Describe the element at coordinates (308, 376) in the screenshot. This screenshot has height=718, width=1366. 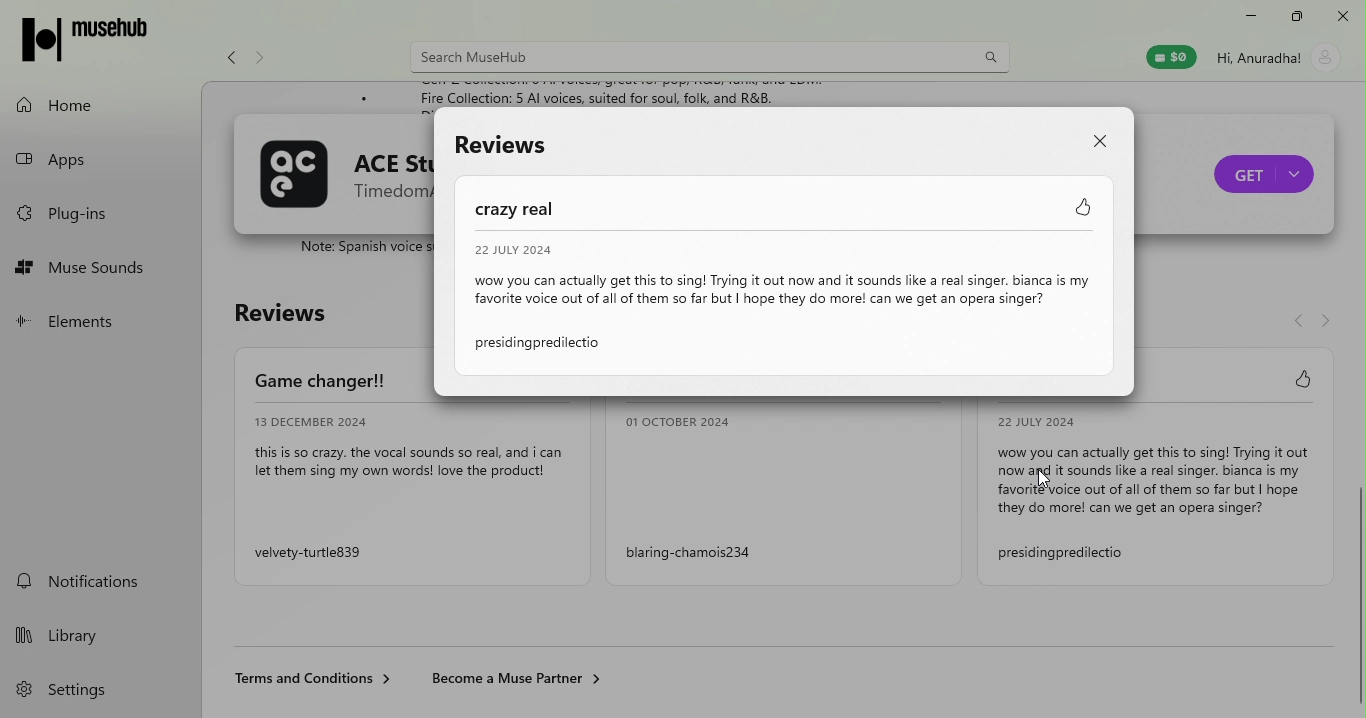
I see `Game changer` at that location.